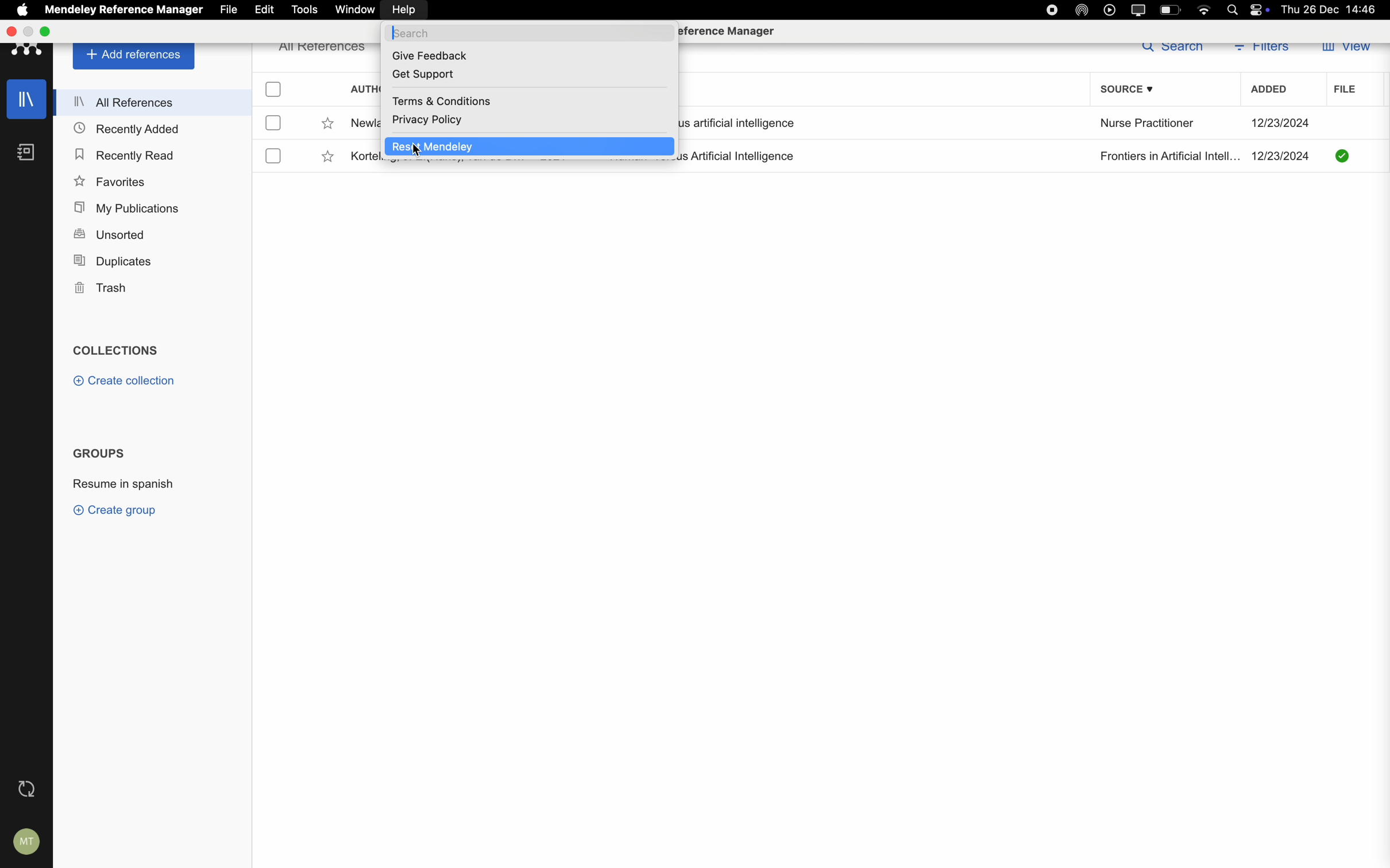 The width and height of the screenshot is (1390, 868). Describe the element at coordinates (17, 10) in the screenshot. I see `Apple icon` at that location.